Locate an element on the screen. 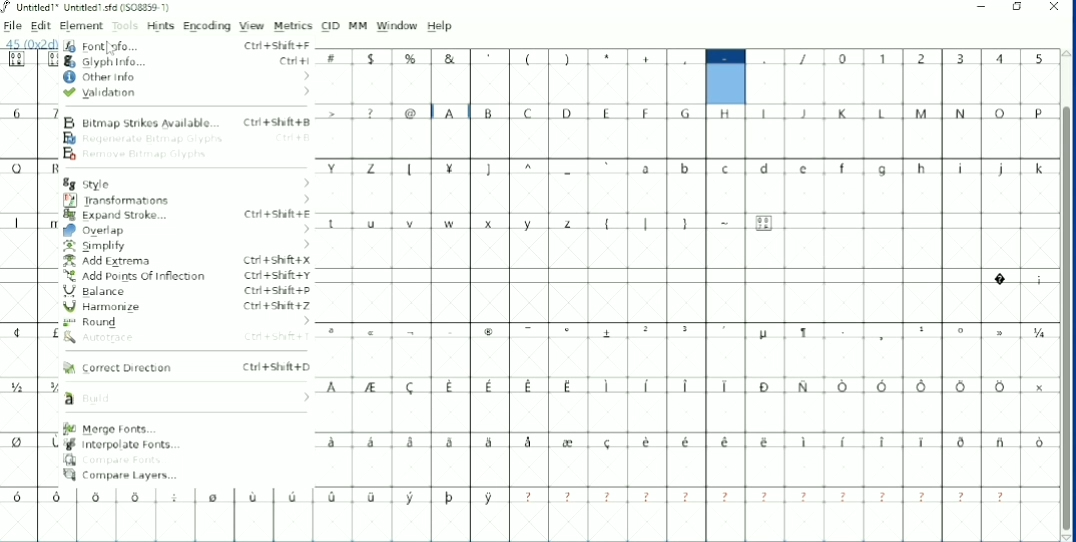 The height and width of the screenshot is (542, 1076). Merge Fonts is located at coordinates (115, 427).